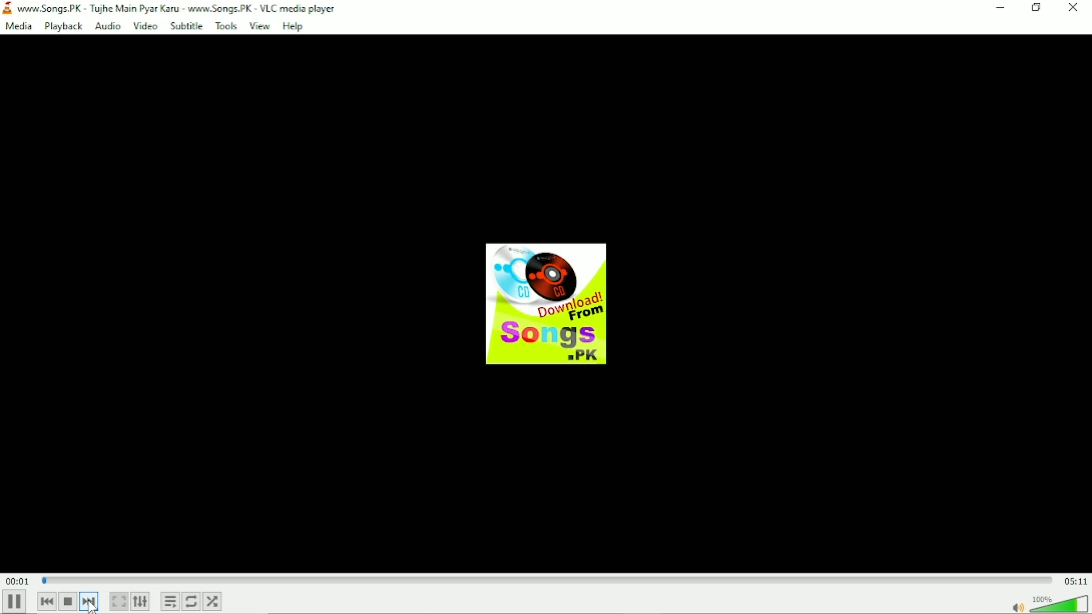  Describe the element at coordinates (8, 9) in the screenshot. I see `application logo` at that location.